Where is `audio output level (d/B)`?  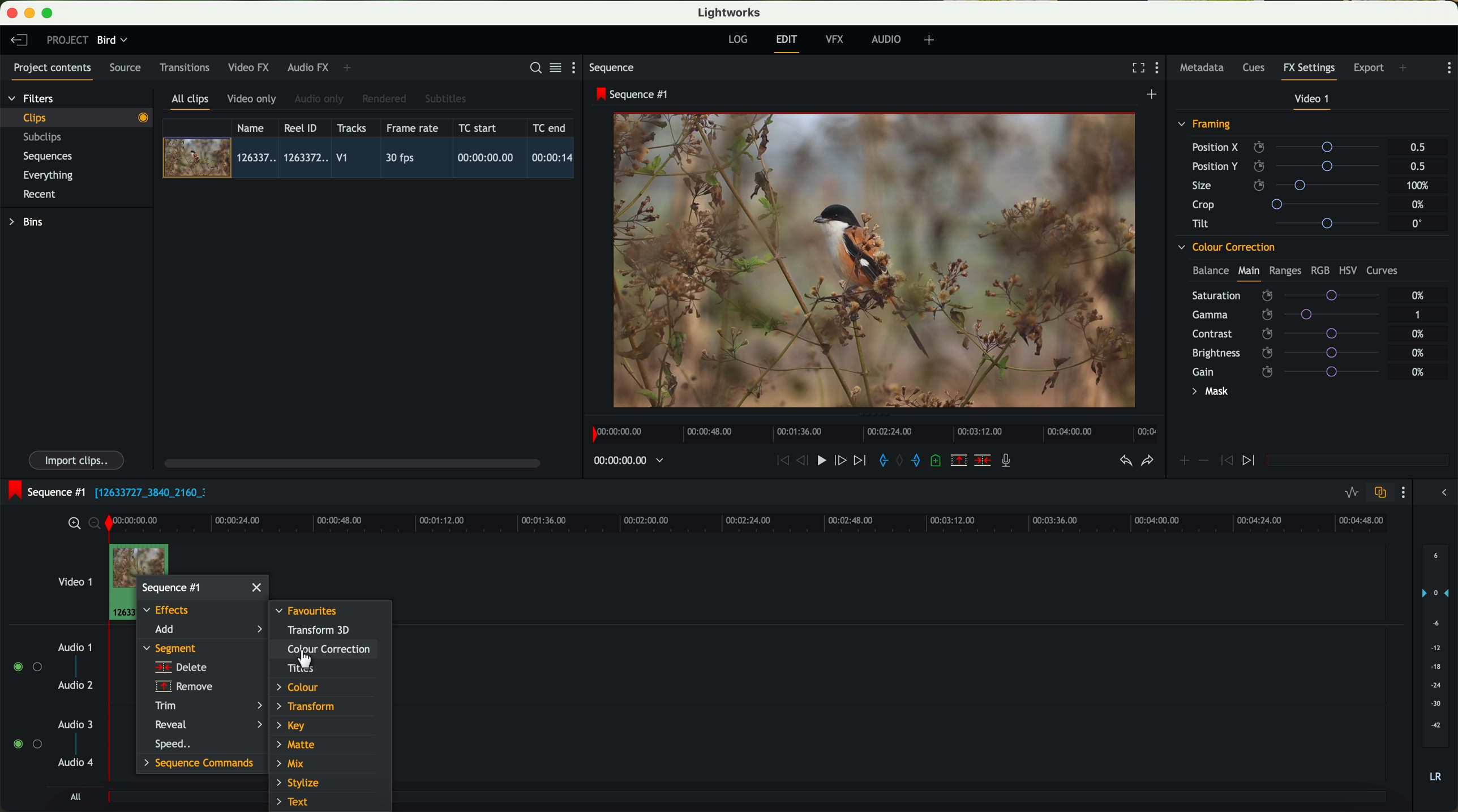 audio output level (d/B) is located at coordinates (1436, 667).